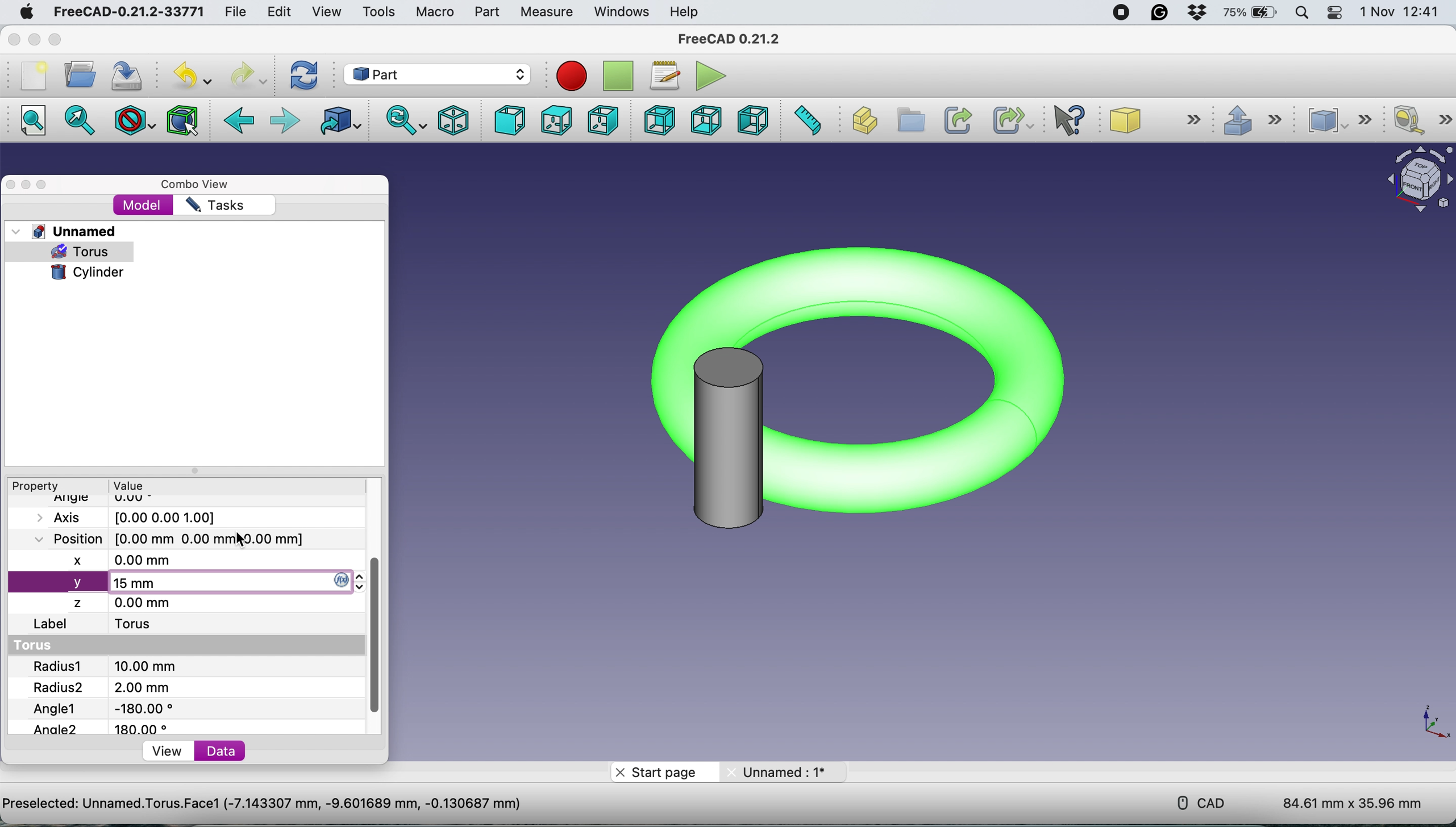 This screenshot has height=827, width=1456. Describe the element at coordinates (57, 41) in the screenshot. I see `maximise` at that location.